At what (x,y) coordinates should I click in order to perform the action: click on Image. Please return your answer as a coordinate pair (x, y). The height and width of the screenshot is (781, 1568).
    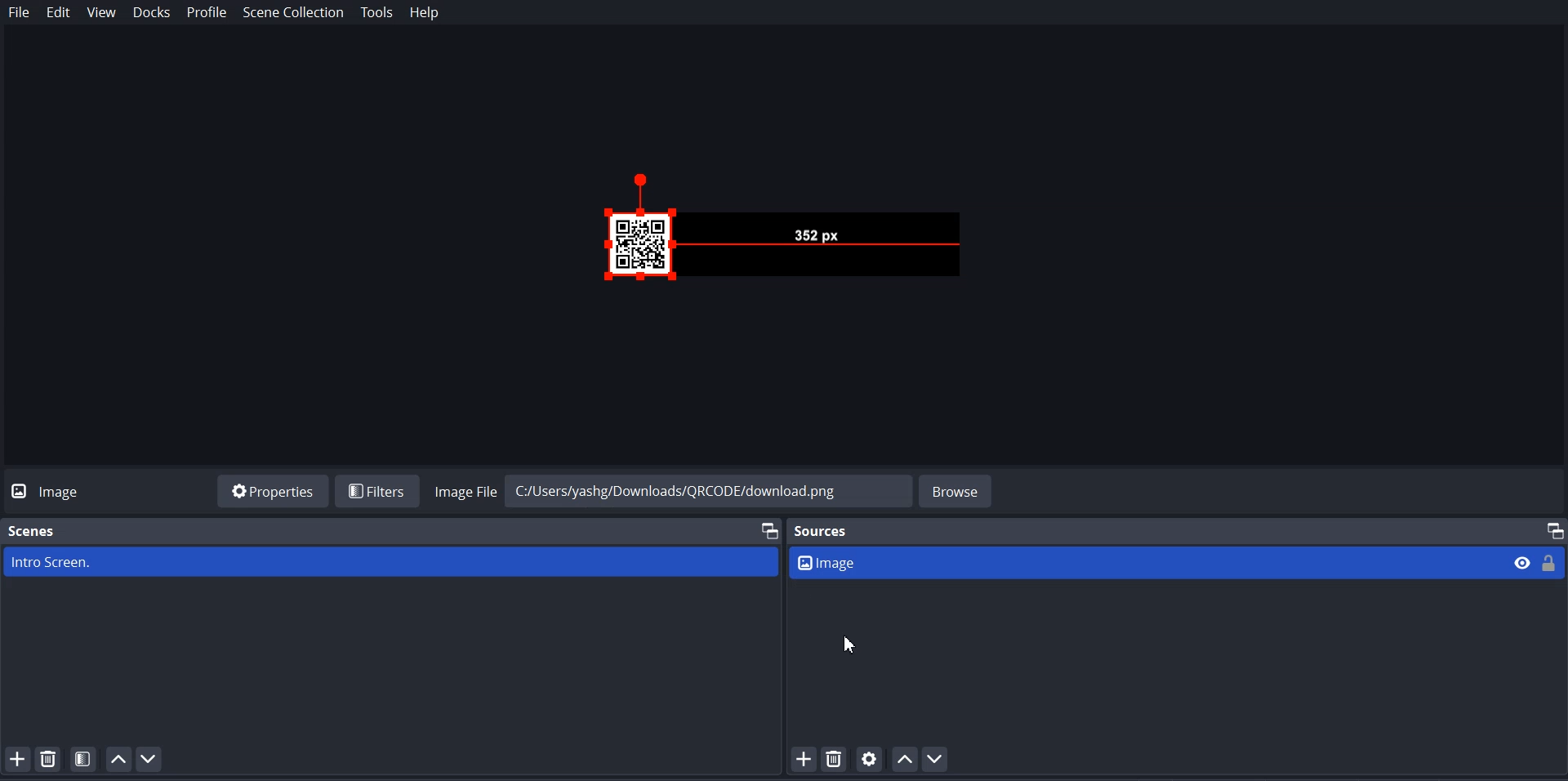
    Looking at the image, I should click on (1147, 562).